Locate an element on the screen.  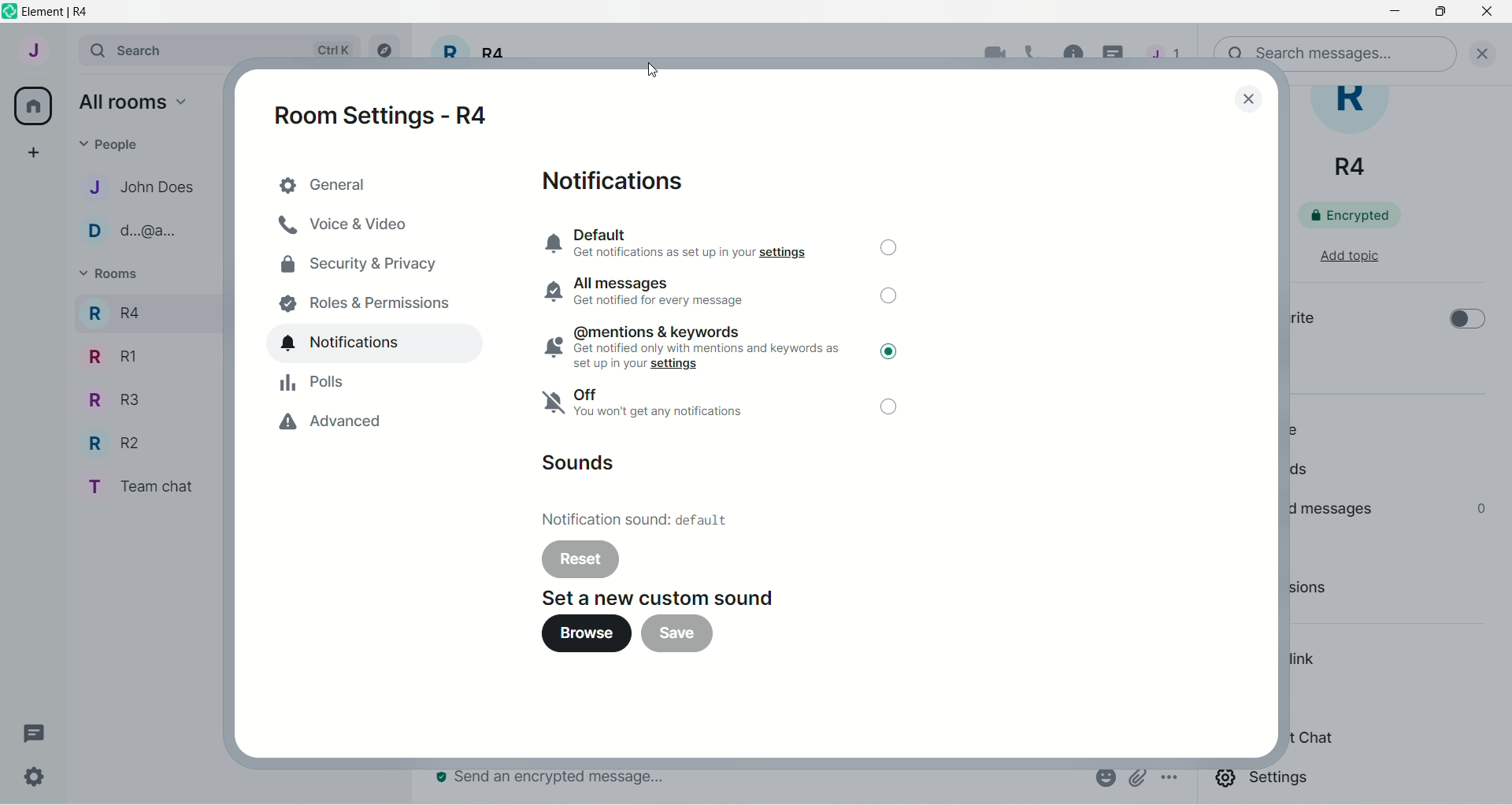
toggle  is located at coordinates (891, 302).